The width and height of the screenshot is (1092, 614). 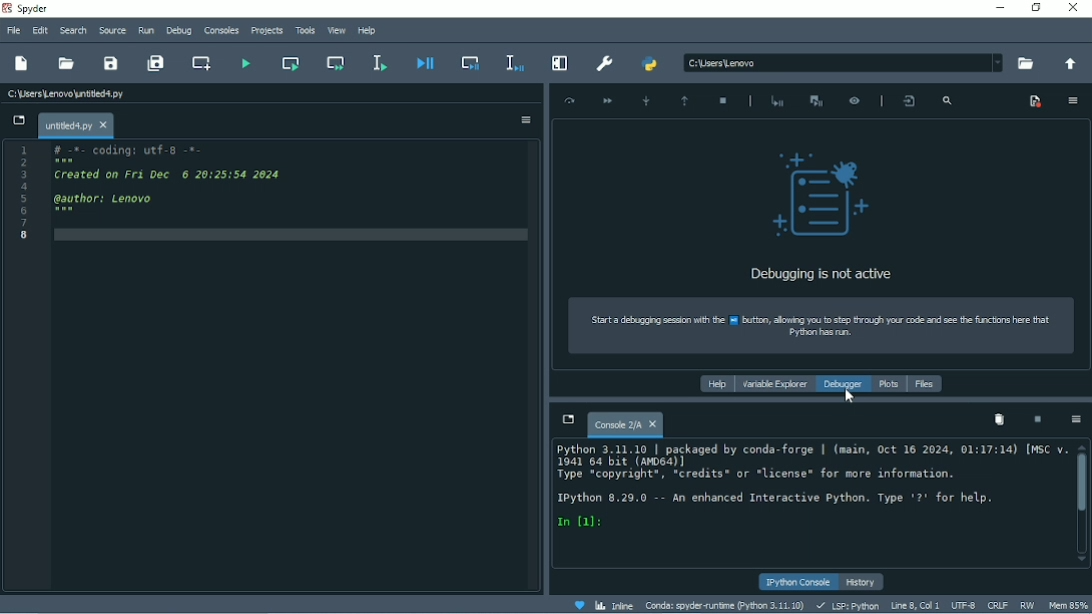 What do you see at coordinates (248, 64) in the screenshot?
I see `Run file` at bounding box center [248, 64].